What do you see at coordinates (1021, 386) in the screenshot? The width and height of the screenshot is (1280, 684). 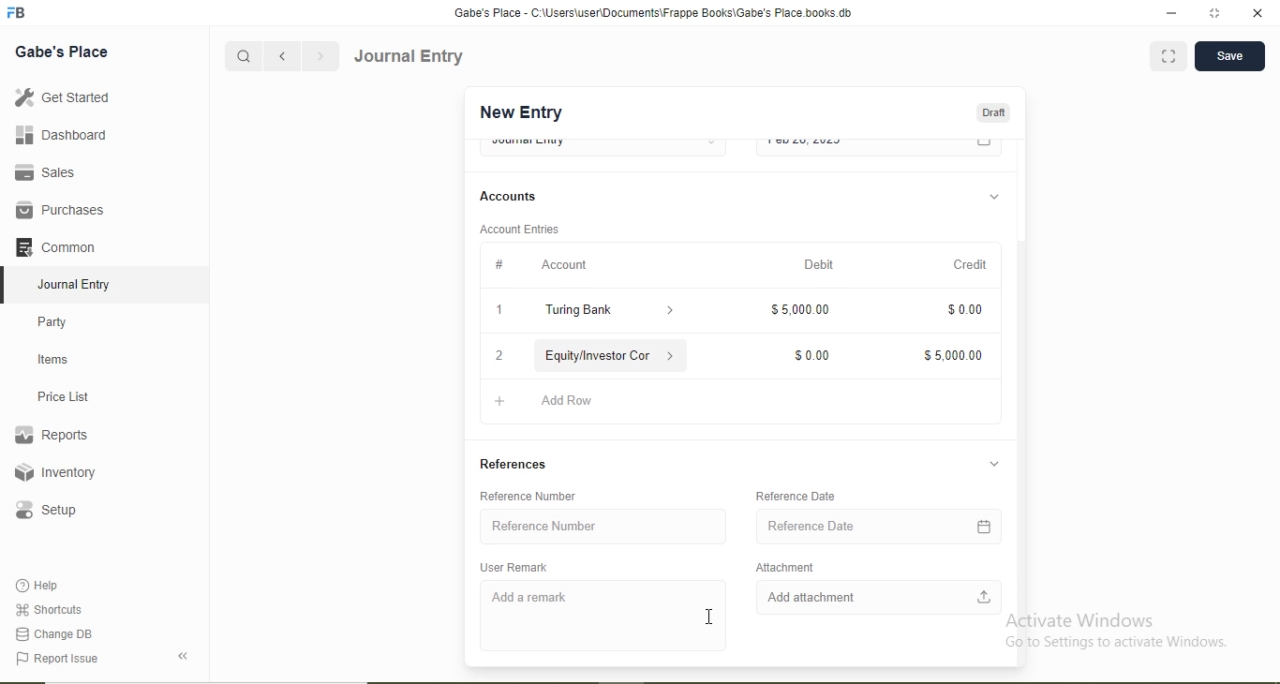 I see `Scroll bar` at bounding box center [1021, 386].